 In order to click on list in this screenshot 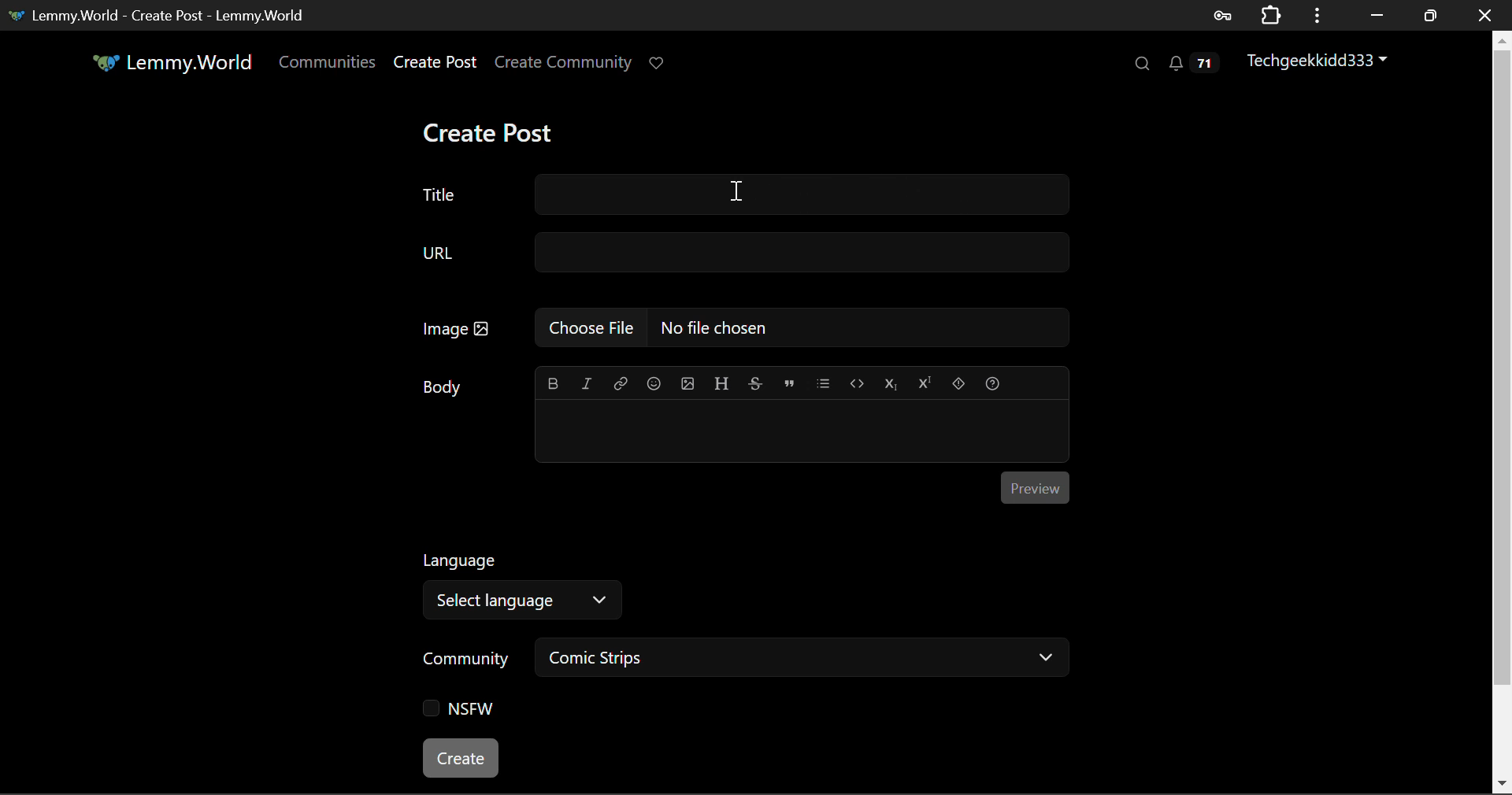, I will do `click(823, 380)`.